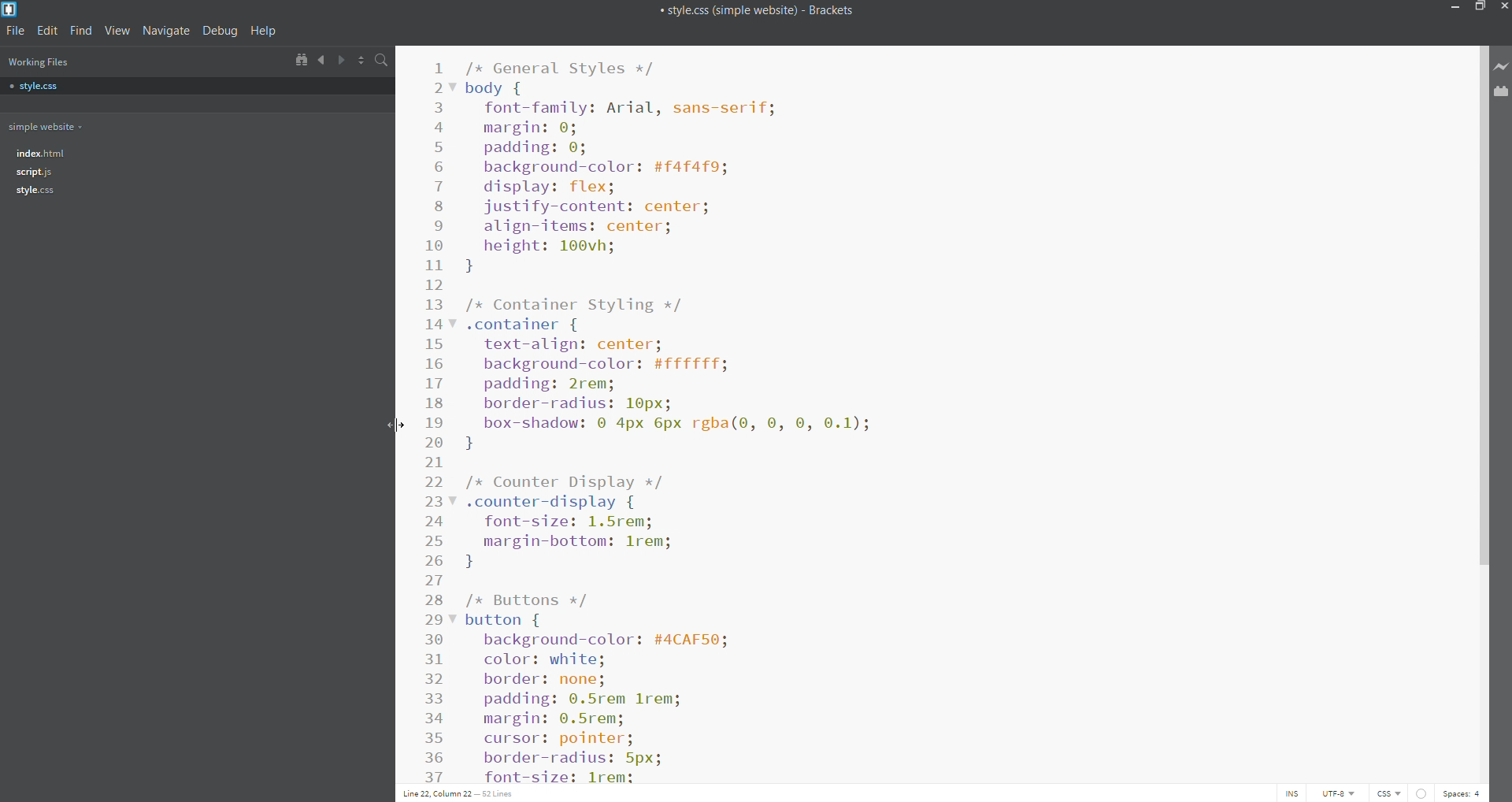 Image resolution: width=1512 pixels, height=802 pixels. Describe the element at coordinates (321, 61) in the screenshot. I see `navigate backwards` at that location.